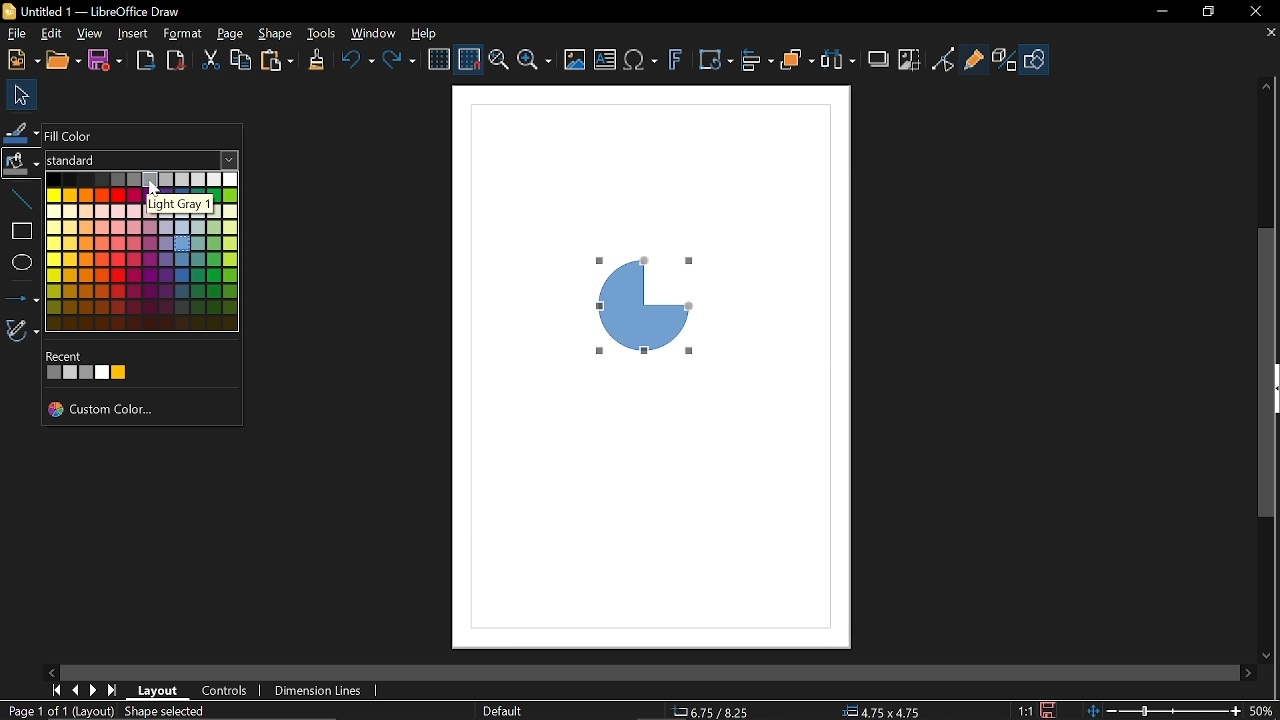  I want to click on Vertical scrollbar, so click(1269, 372).